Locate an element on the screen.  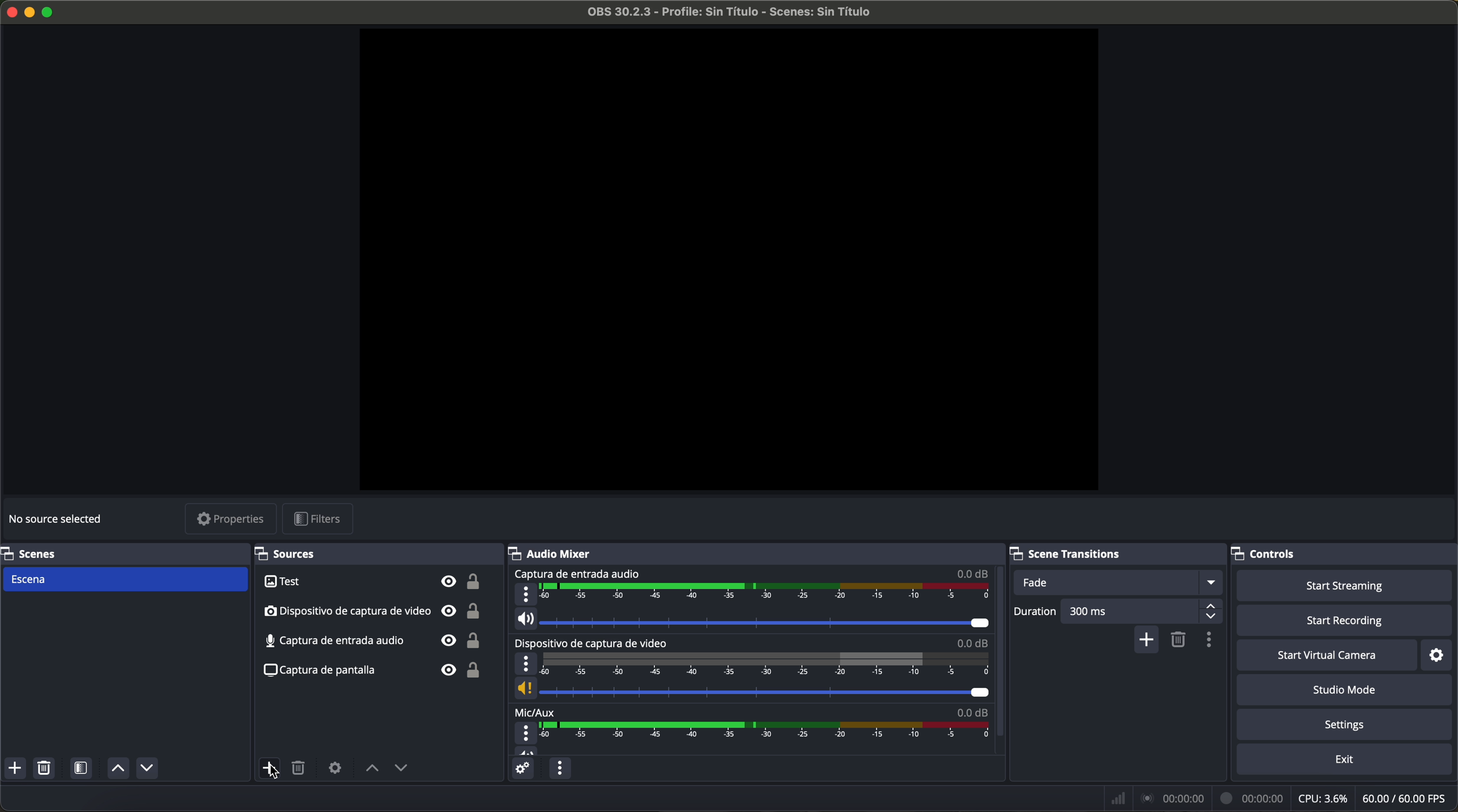
open scene filters is located at coordinates (80, 767).